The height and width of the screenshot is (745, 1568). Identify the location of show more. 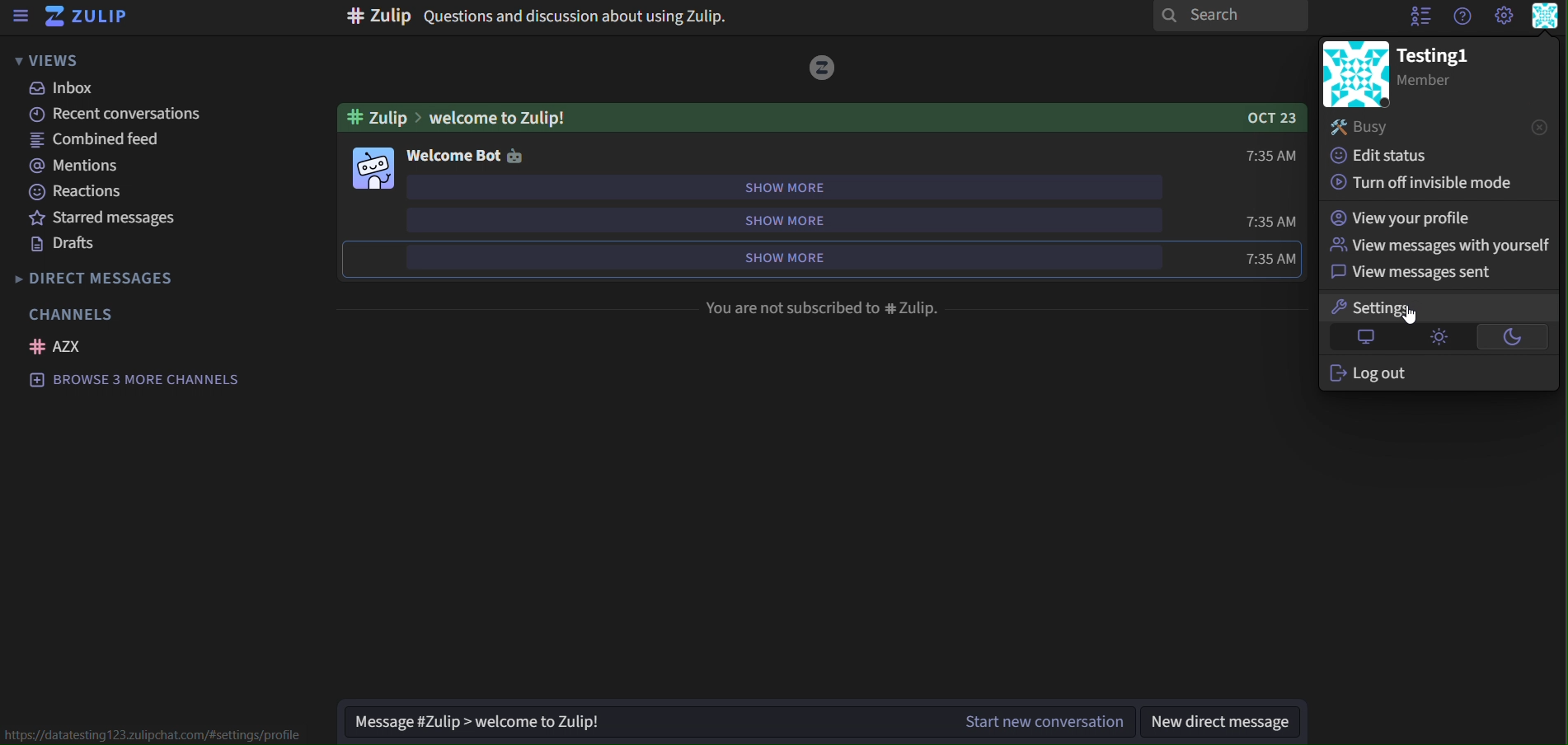
(788, 189).